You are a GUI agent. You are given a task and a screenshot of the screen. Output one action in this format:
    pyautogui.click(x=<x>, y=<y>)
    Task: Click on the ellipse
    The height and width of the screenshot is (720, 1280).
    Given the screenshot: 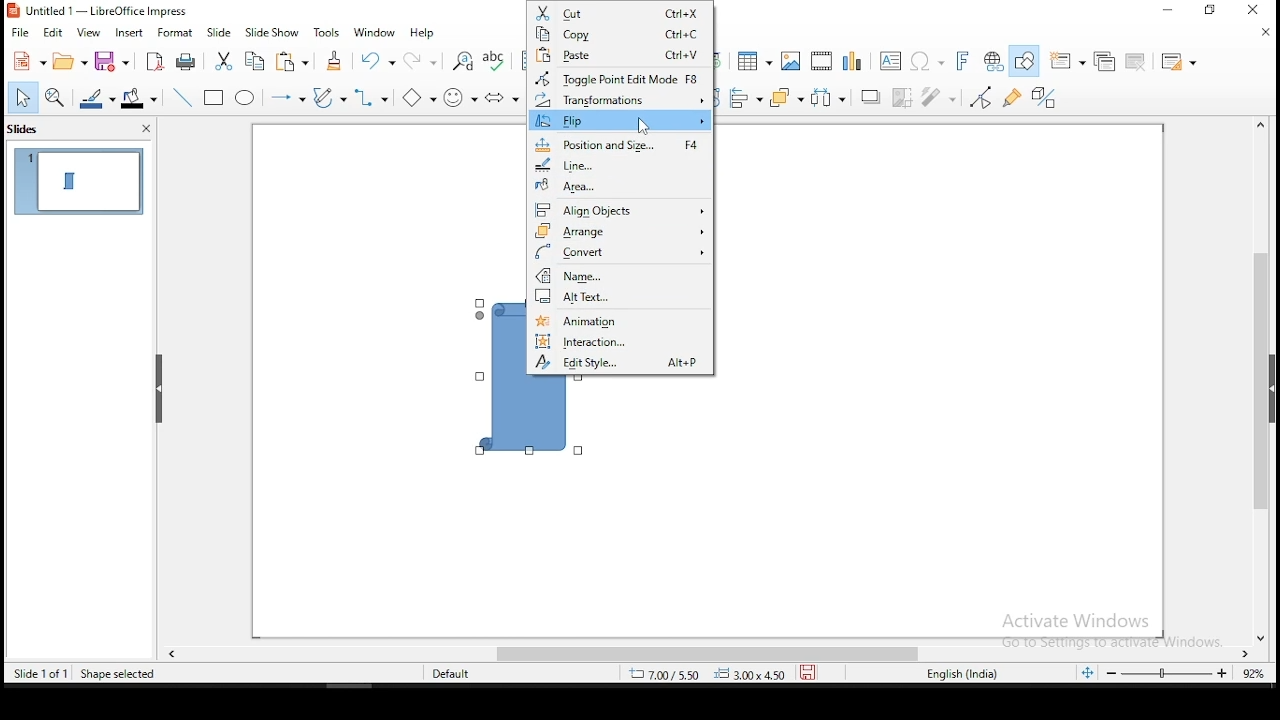 What is the action you would take?
    pyautogui.click(x=247, y=99)
    